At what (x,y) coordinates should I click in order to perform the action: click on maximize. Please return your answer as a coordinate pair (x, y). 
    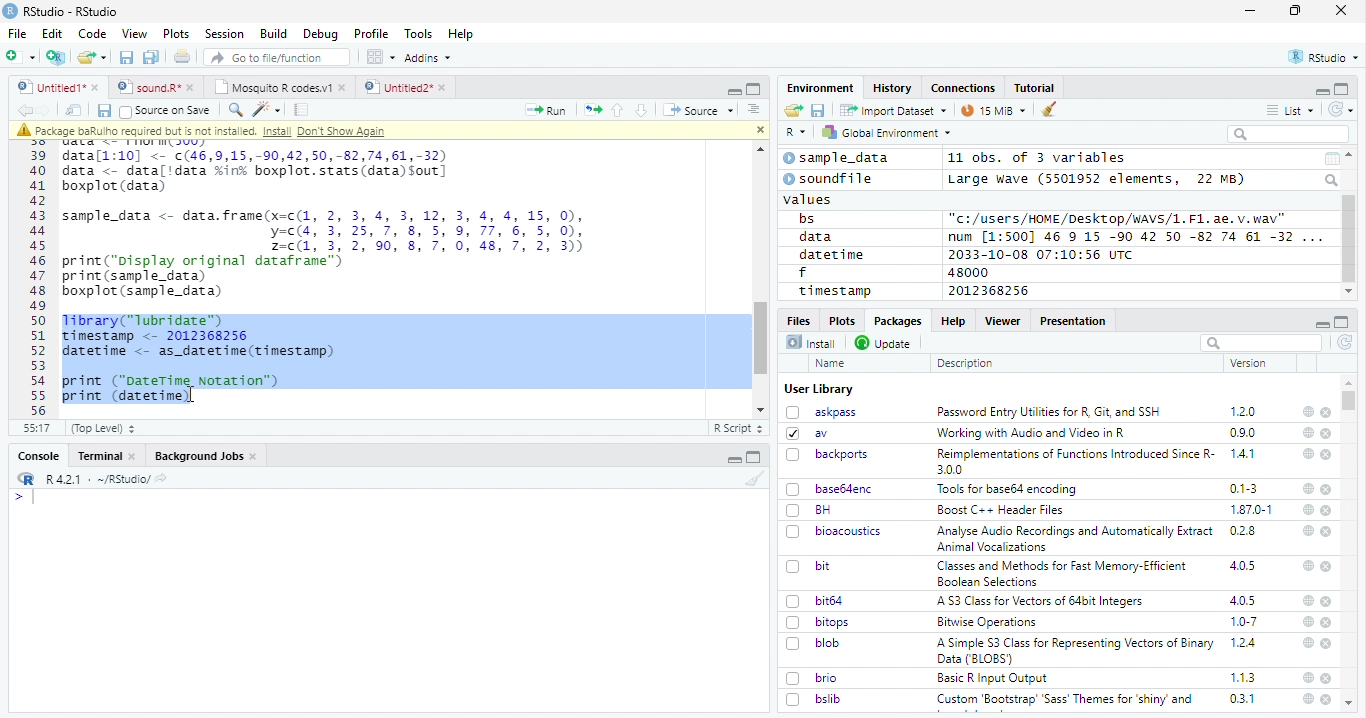
    Looking at the image, I should click on (1295, 11).